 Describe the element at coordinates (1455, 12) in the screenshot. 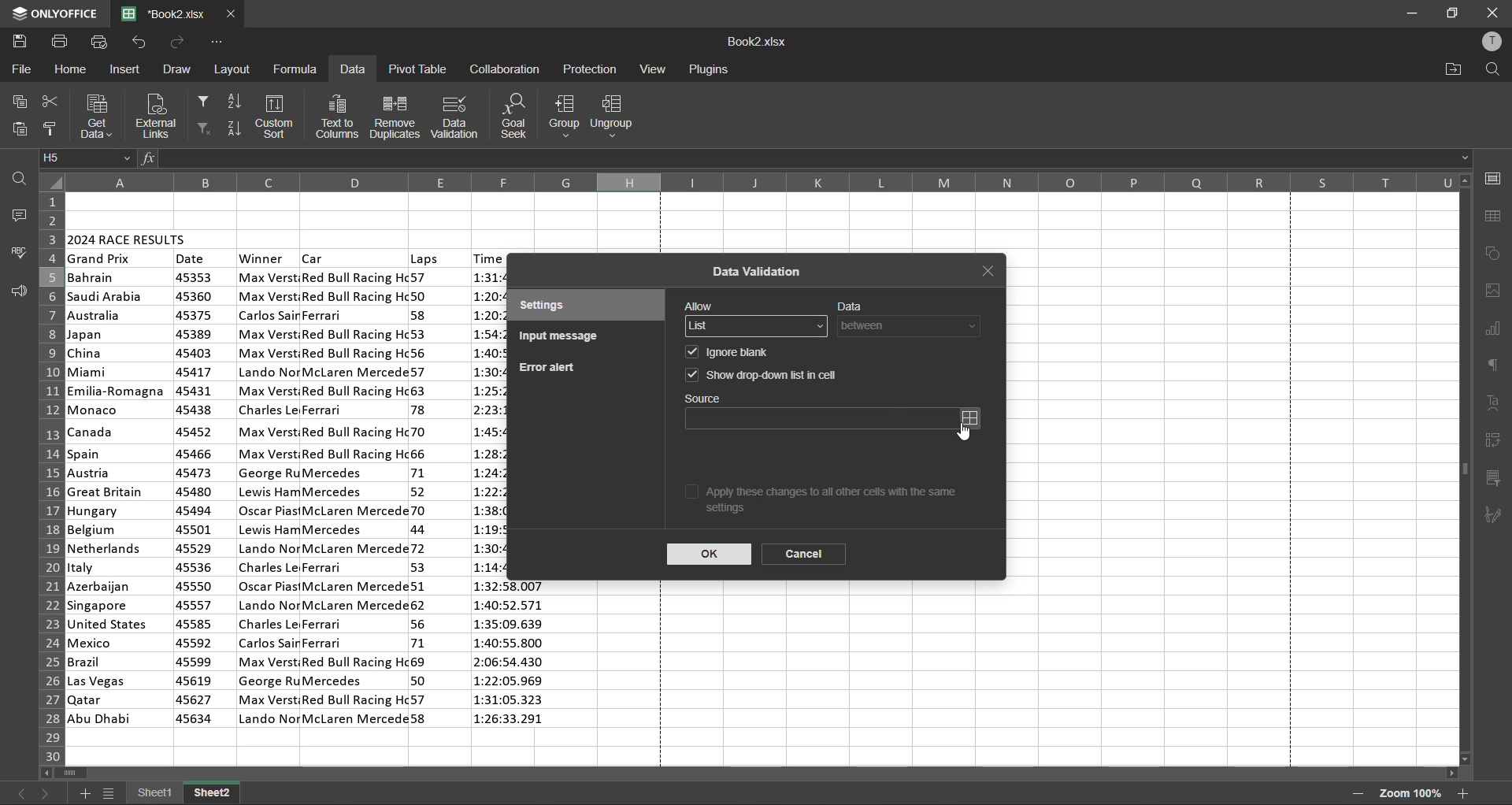

I see `maximize` at that location.